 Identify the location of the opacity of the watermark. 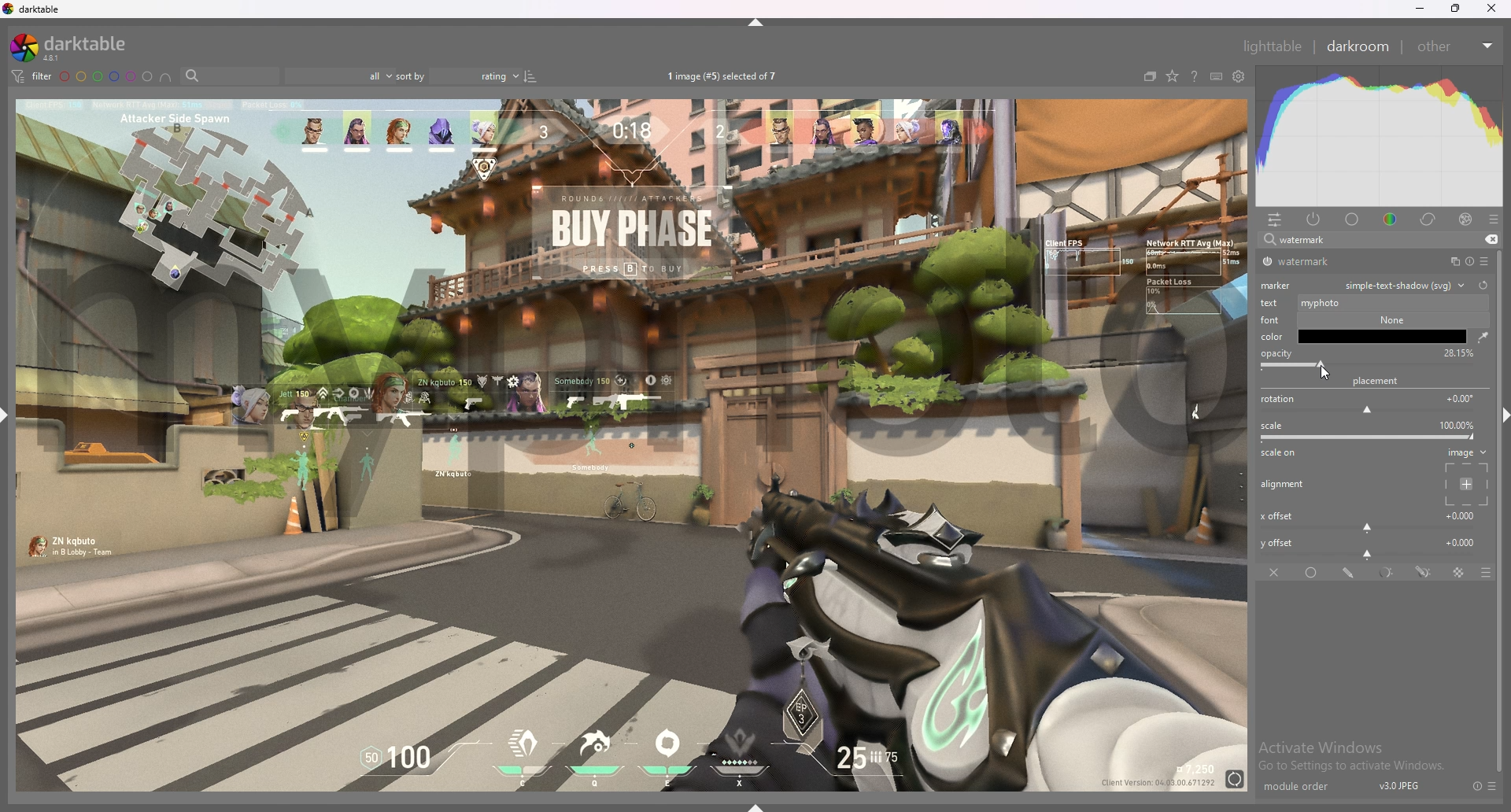
(1384, 384).